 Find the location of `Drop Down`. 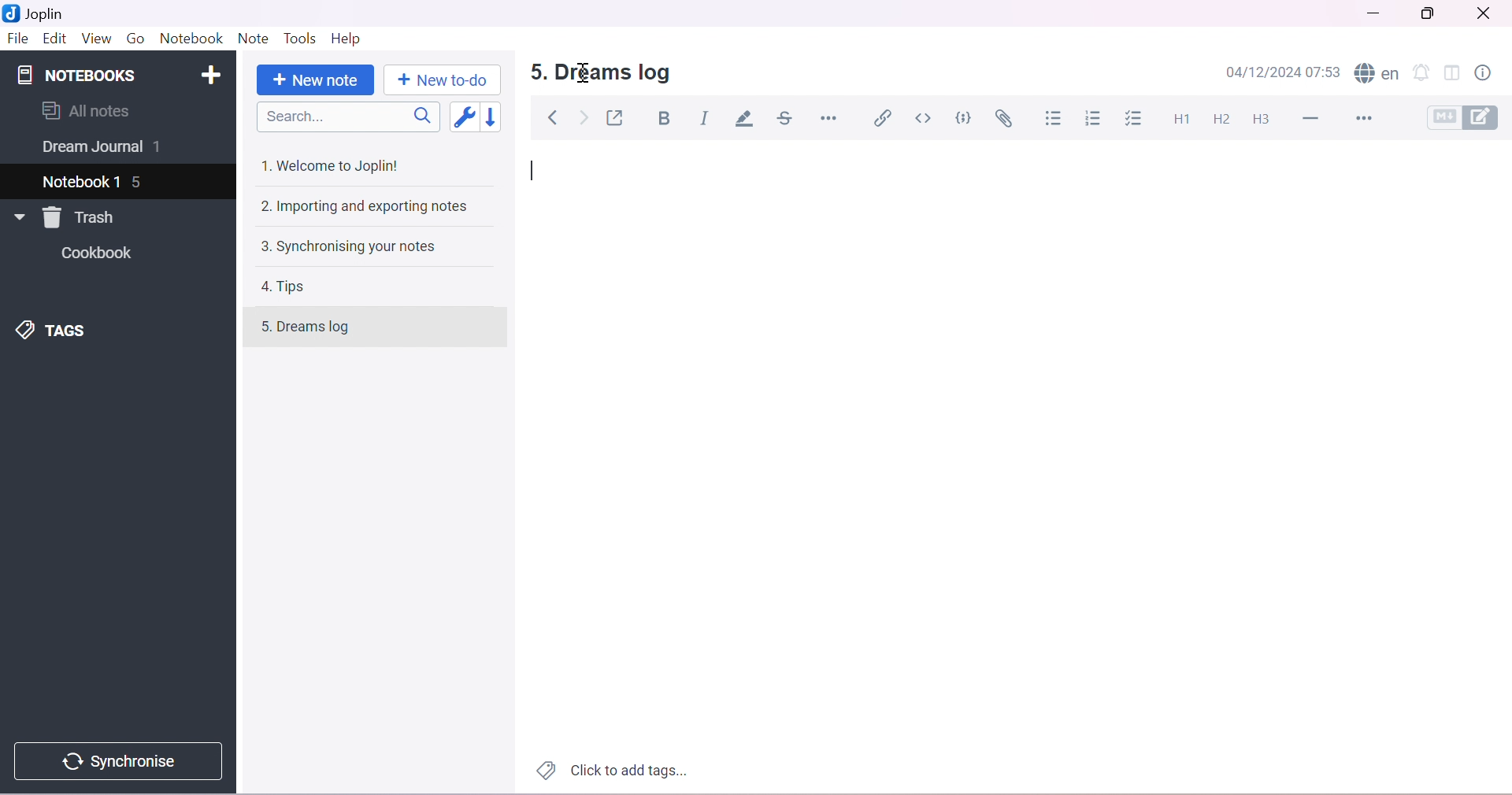

Drop Down is located at coordinates (16, 217).